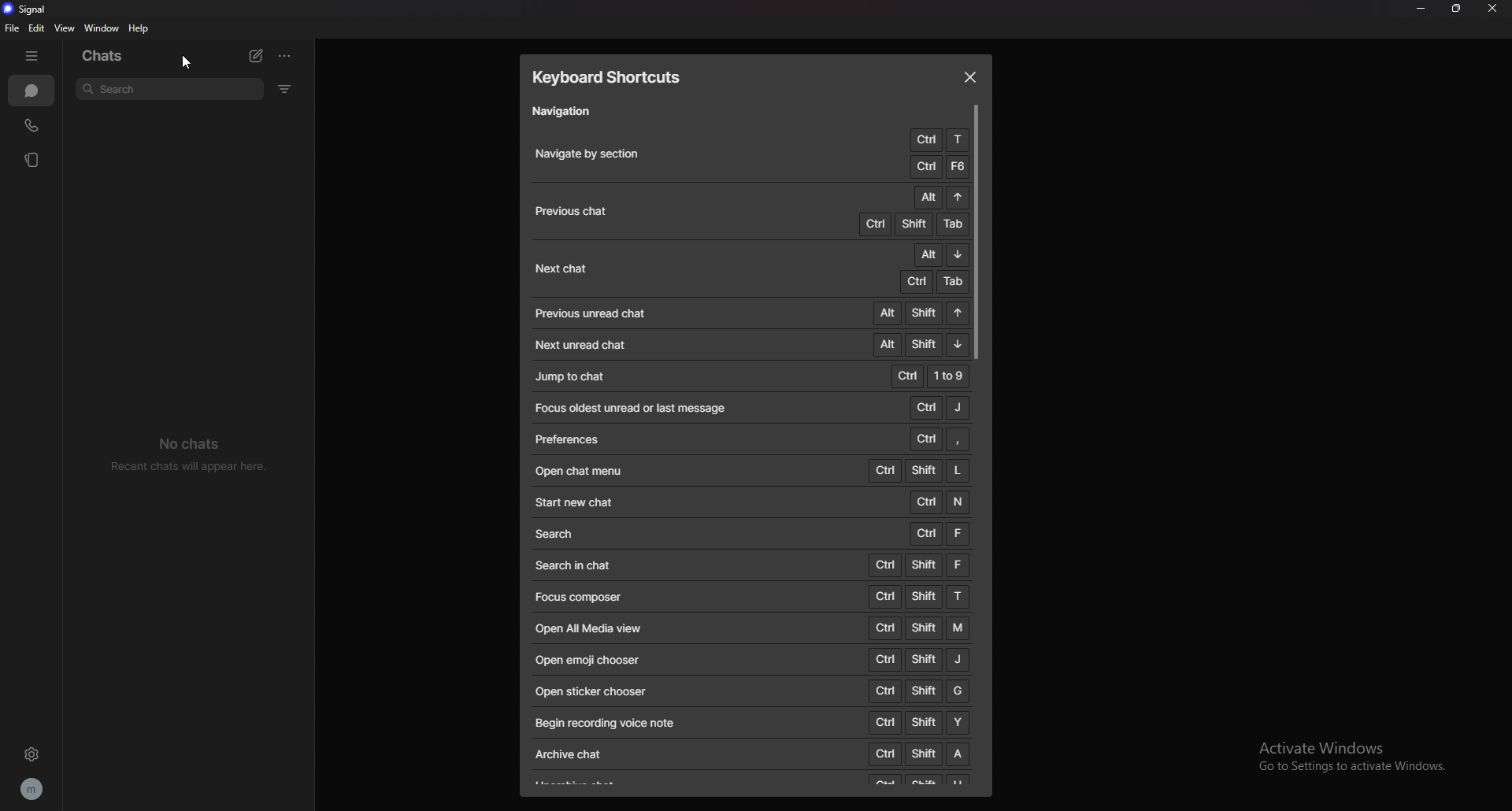  What do you see at coordinates (580, 565) in the screenshot?
I see `search chat` at bounding box center [580, 565].